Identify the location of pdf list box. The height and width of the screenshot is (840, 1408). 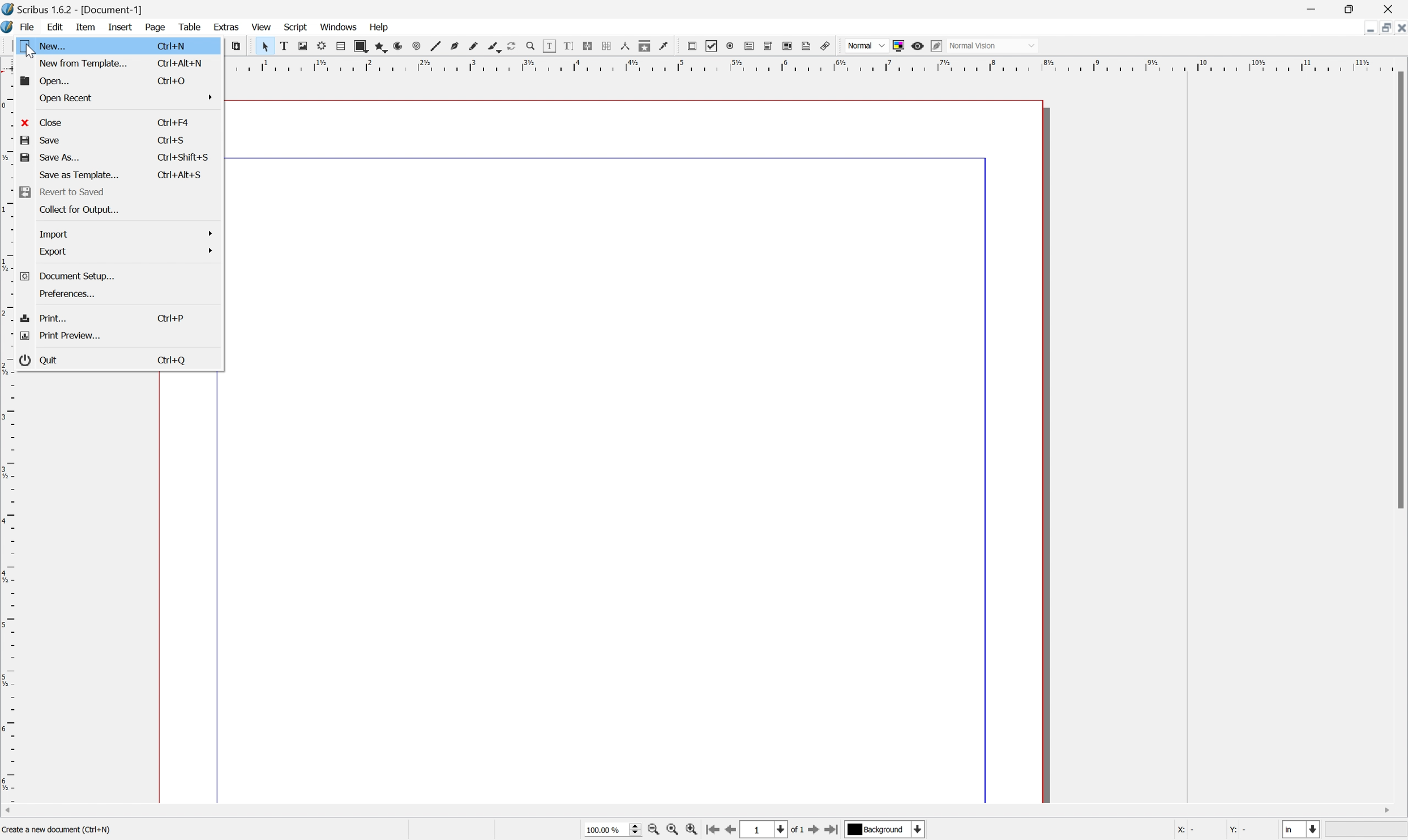
(788, 46).